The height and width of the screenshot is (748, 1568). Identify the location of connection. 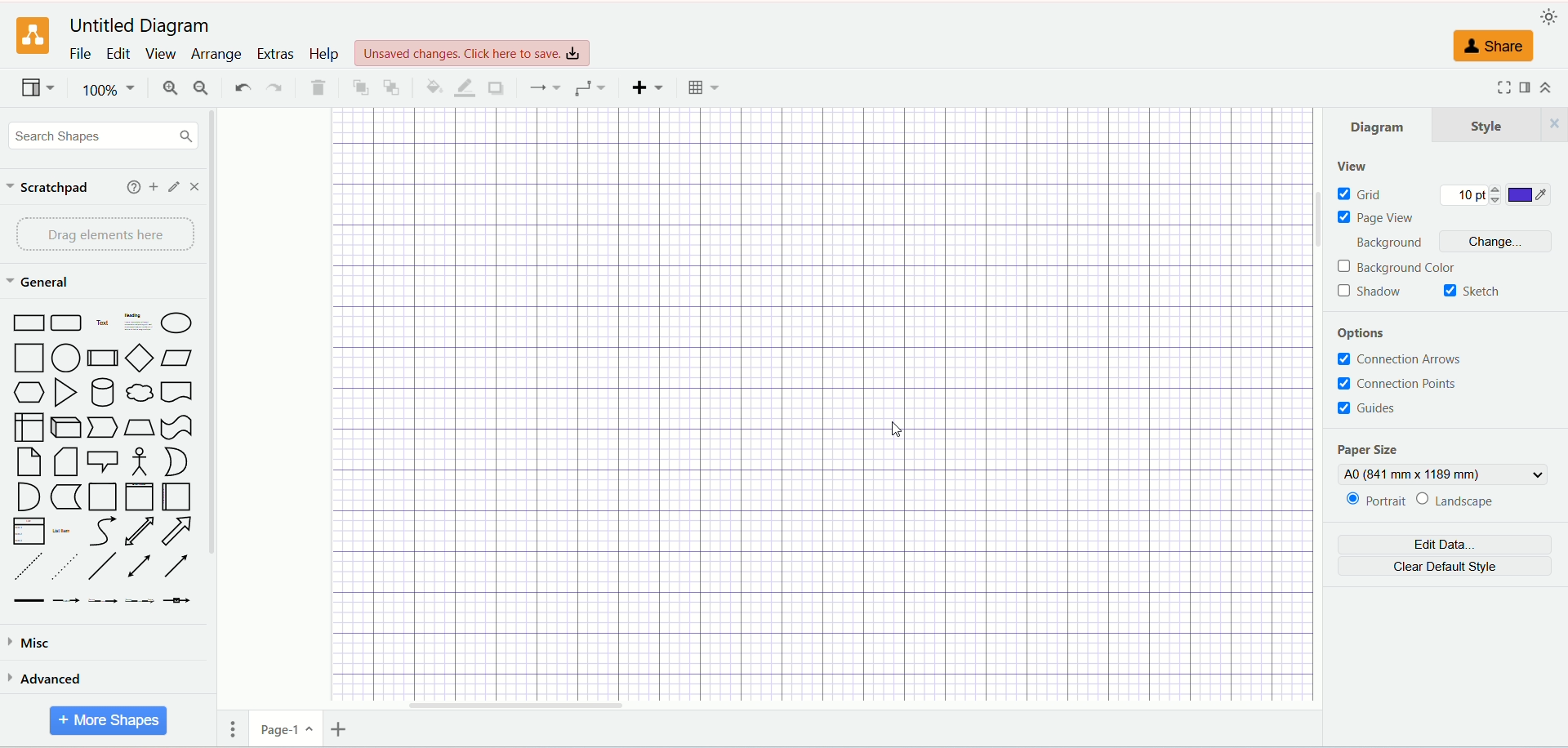
(590, 88).